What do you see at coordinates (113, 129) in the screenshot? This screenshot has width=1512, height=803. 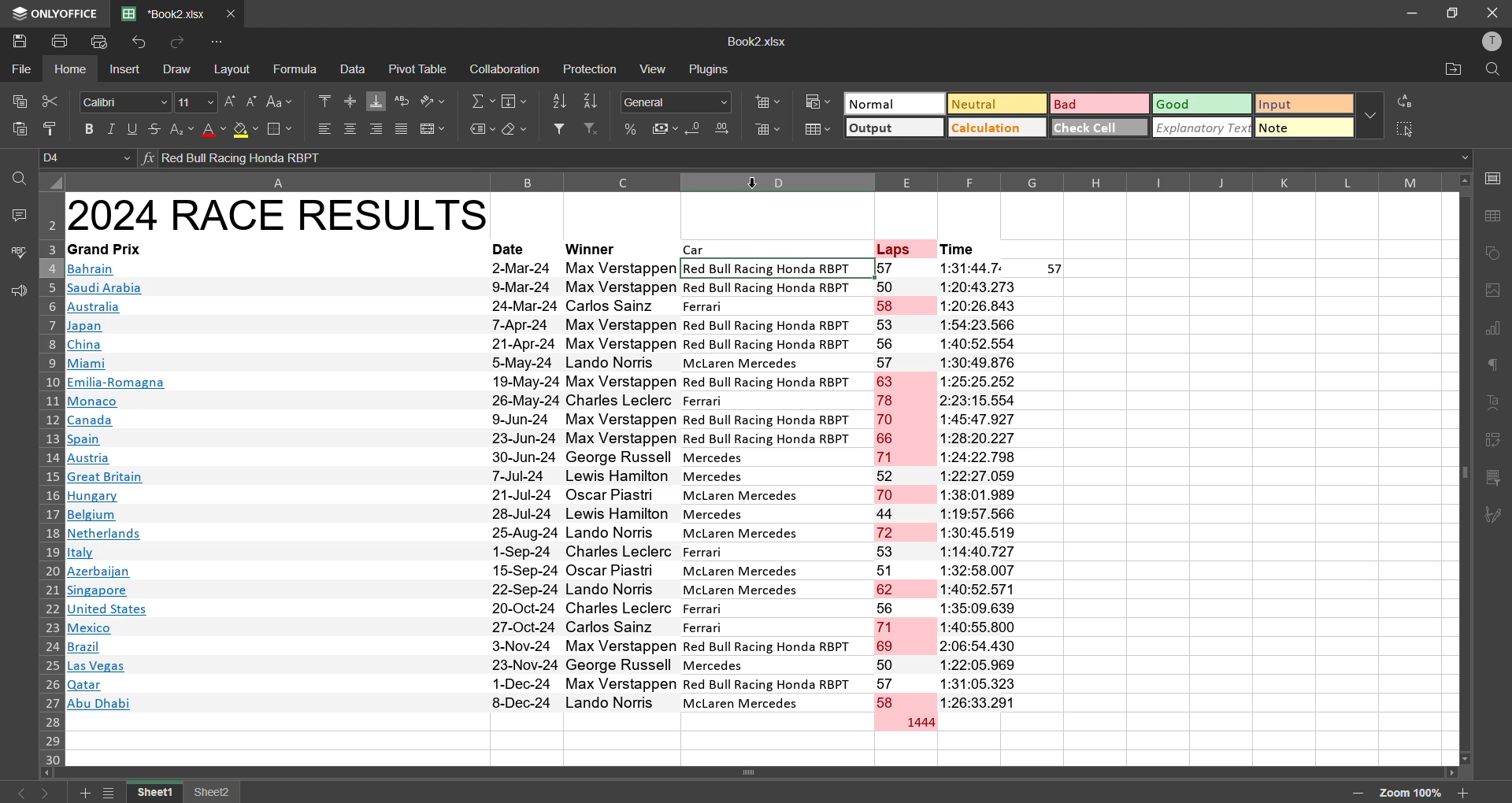 I see `italic` at bounding box center [113, 129].